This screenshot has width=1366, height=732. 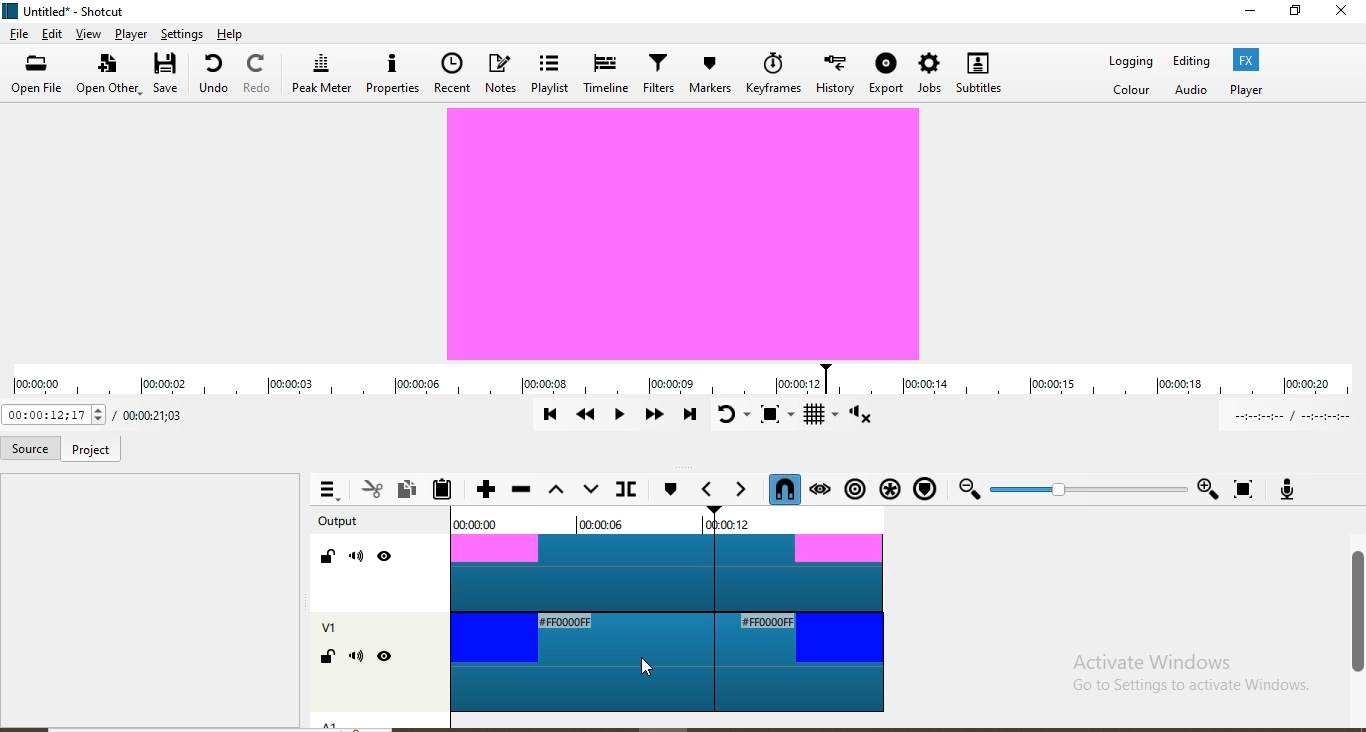 I want to click on Total duration, so click(x=153, y=414).